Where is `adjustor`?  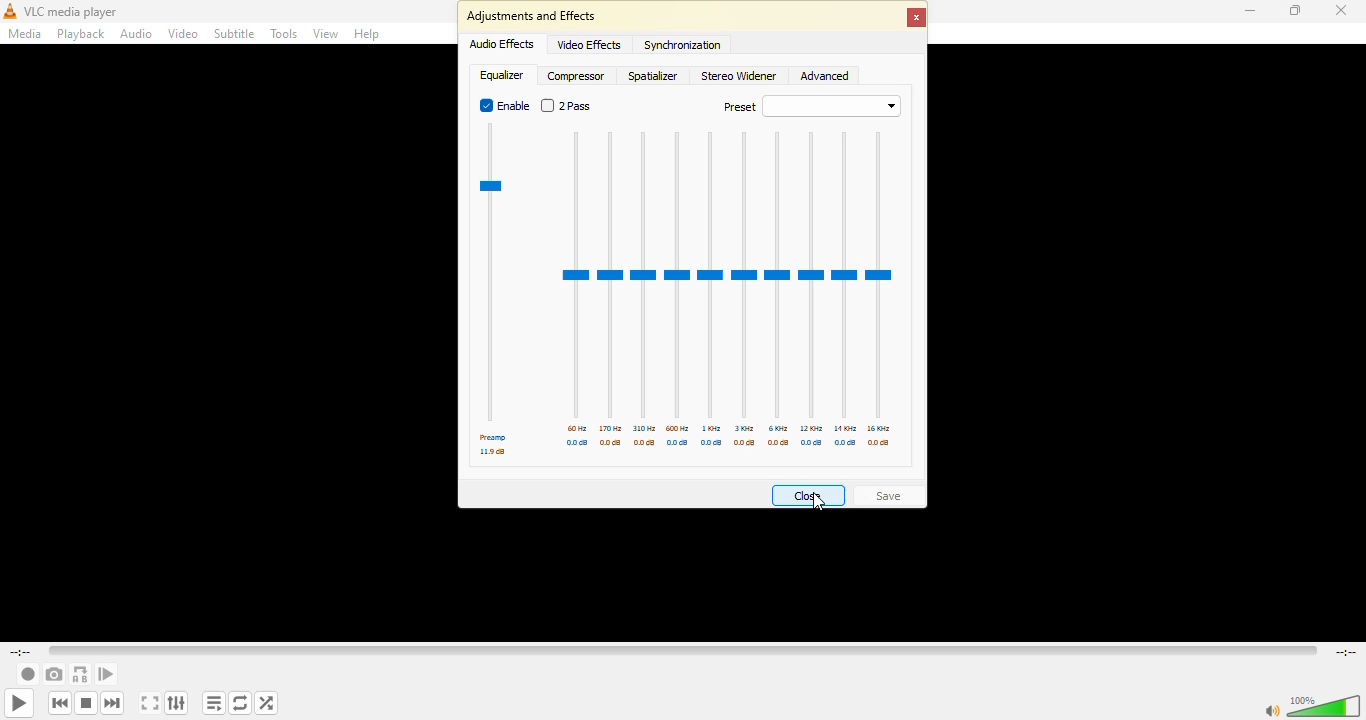 adjustor is located at coordinates (644, 275).